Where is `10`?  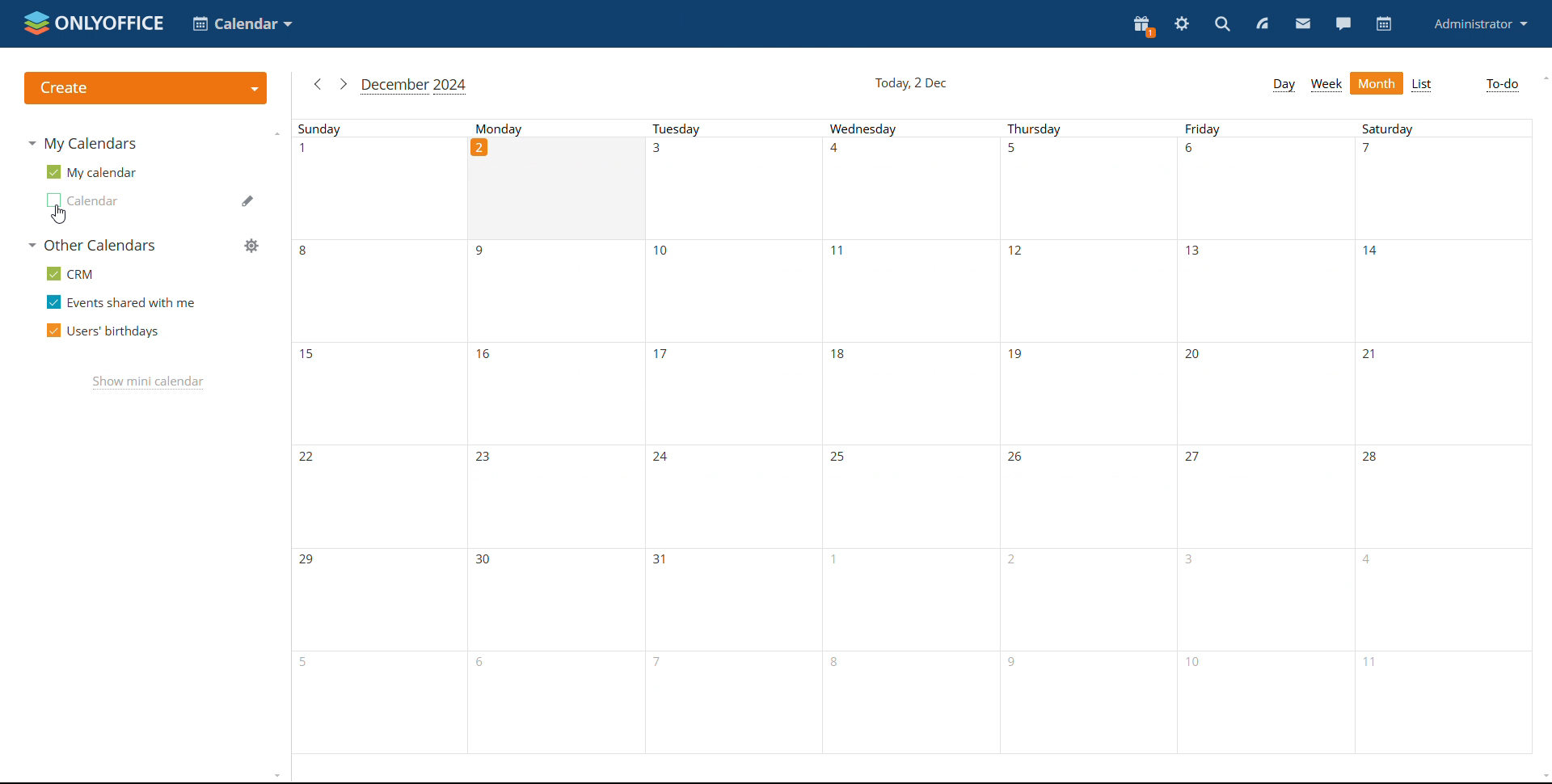 10 is located at coordinates (732, 289).